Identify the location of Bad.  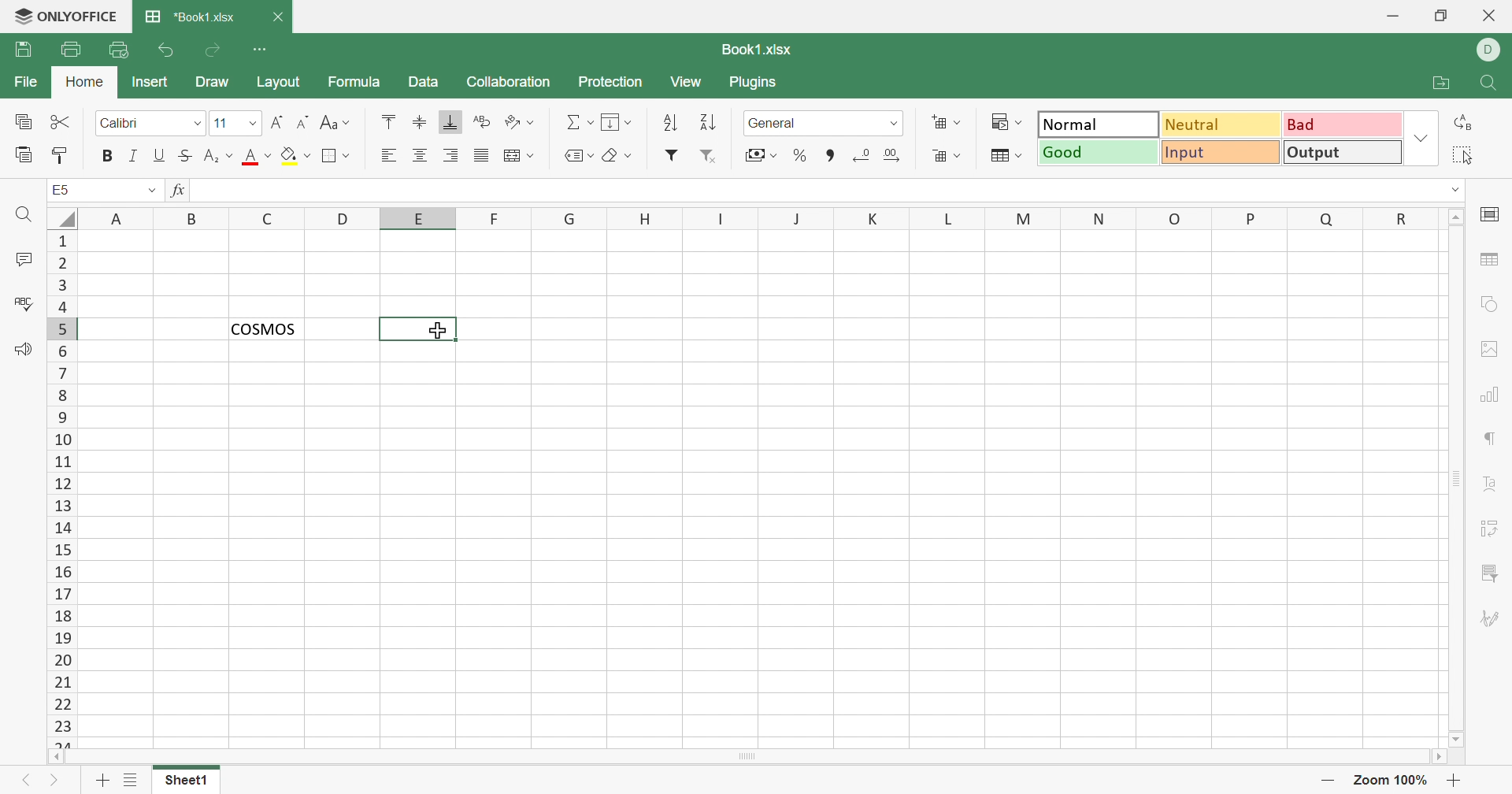
(1342, 124).